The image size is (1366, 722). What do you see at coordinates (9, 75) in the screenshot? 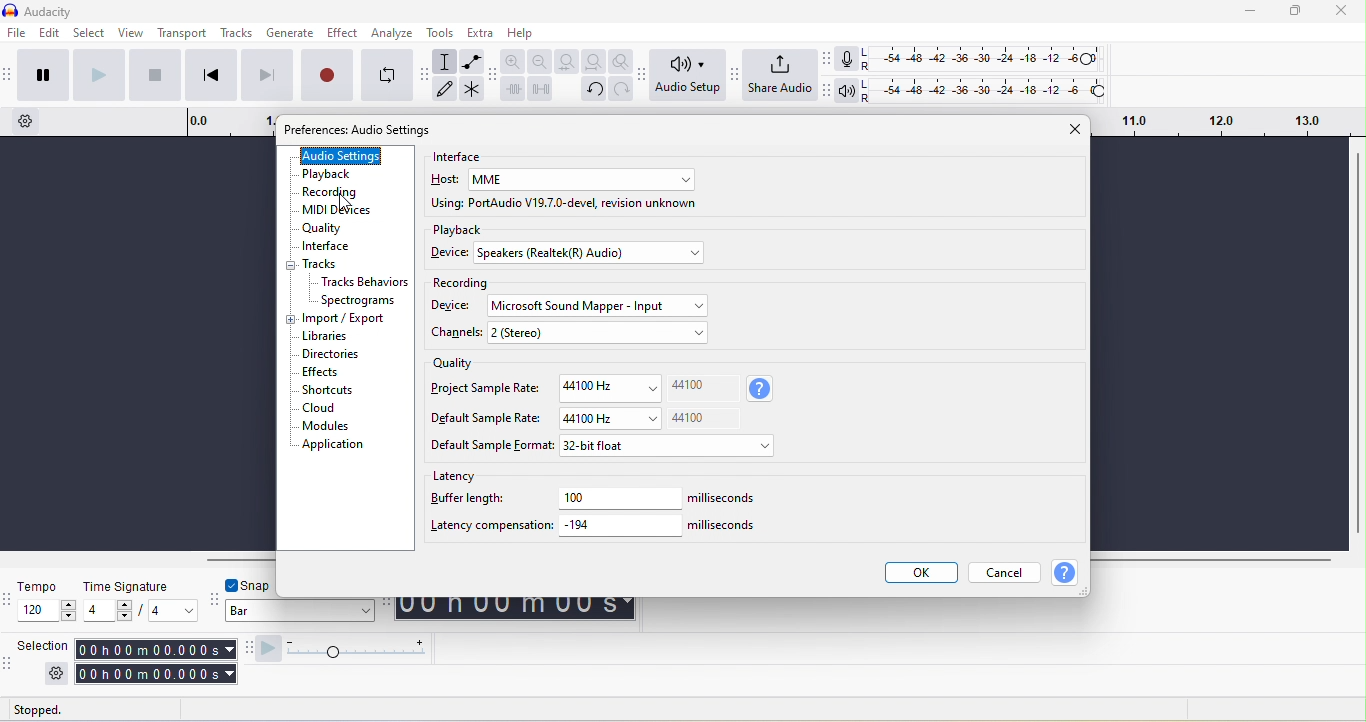
I see `audacity transport toolbar` at bounding box center [9, 75].